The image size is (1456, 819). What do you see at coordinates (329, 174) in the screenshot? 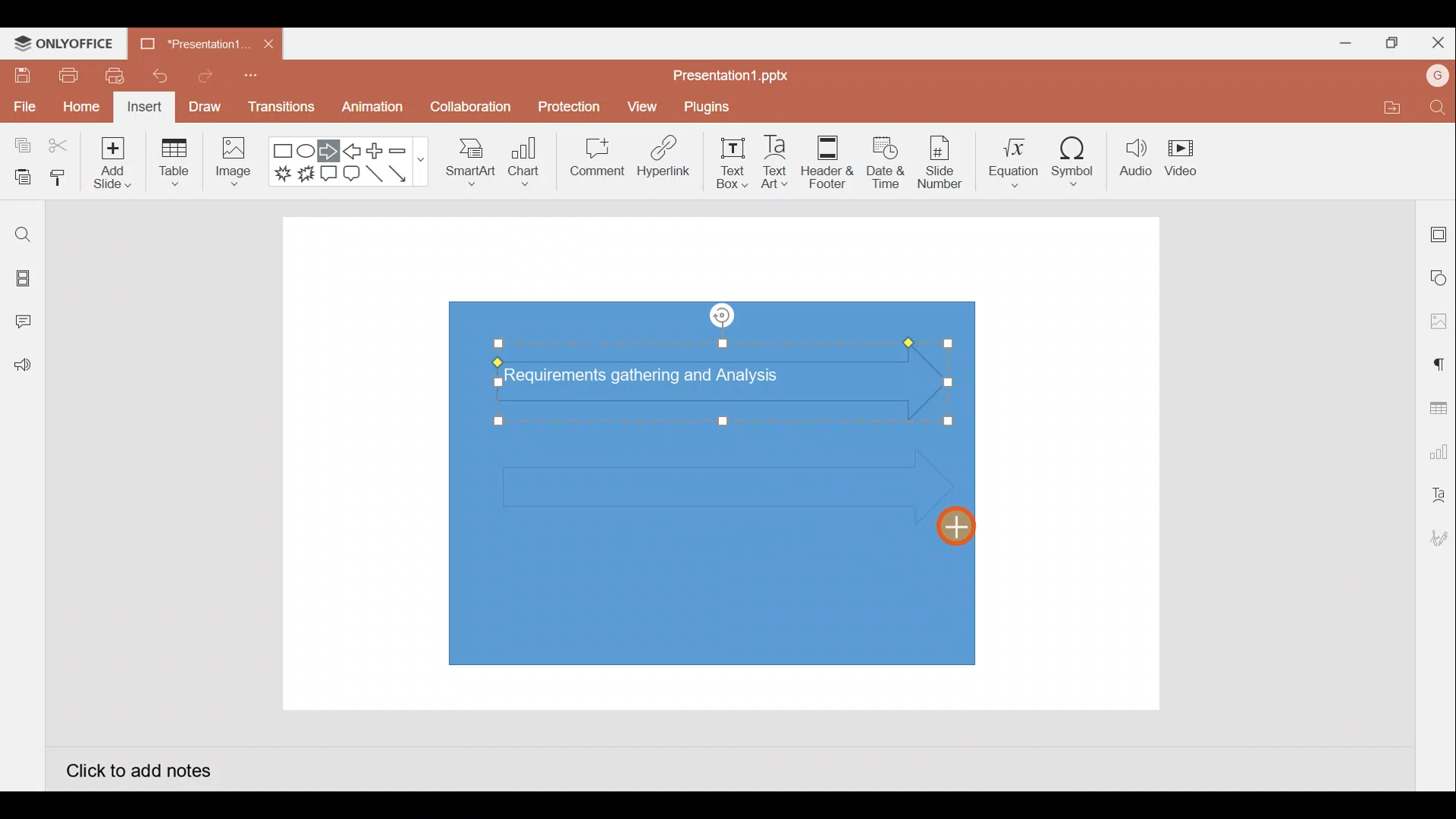
I see `Rectangular callout` at bounding box center [329, 174].